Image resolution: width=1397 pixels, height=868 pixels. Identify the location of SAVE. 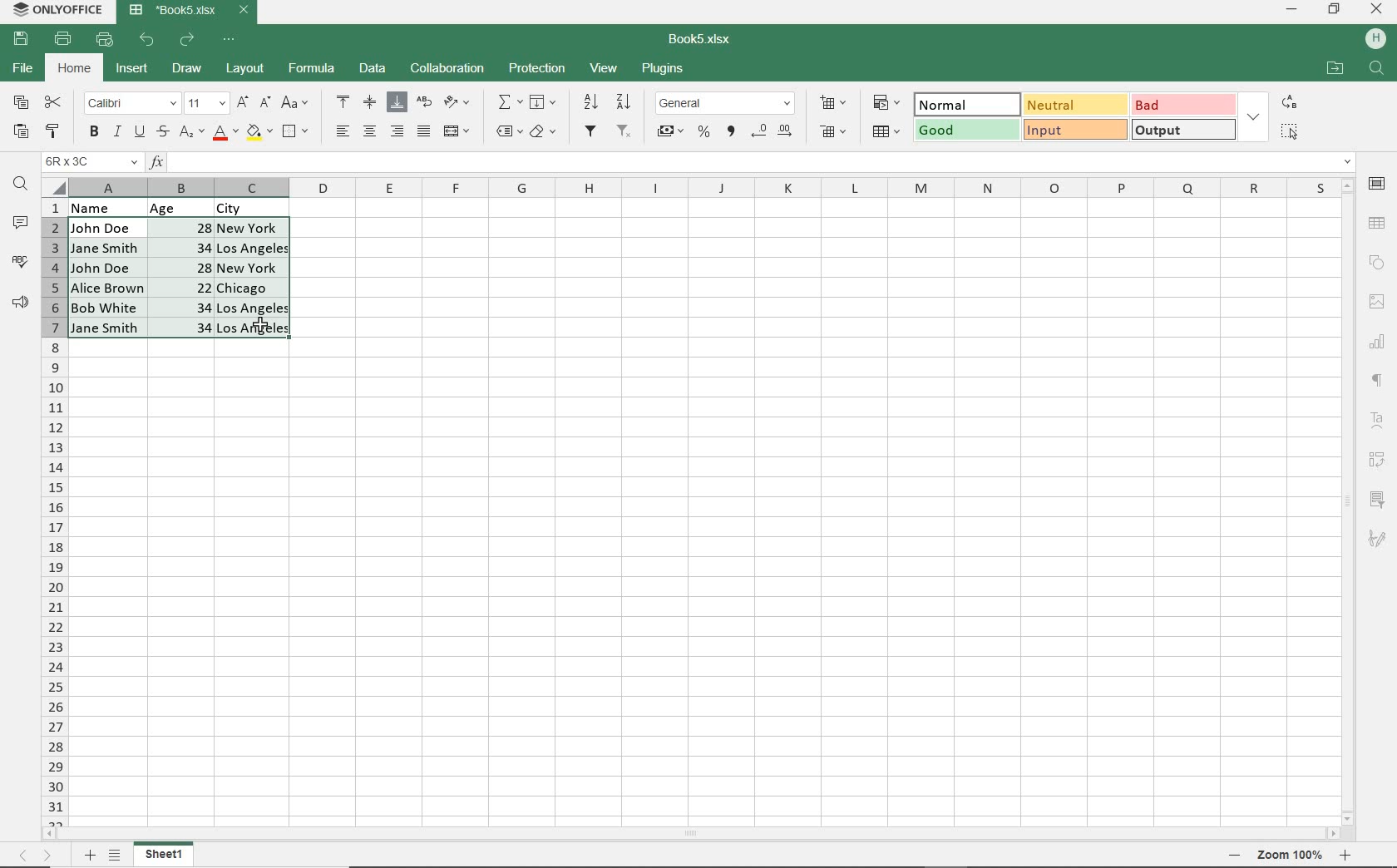
(23, 37).